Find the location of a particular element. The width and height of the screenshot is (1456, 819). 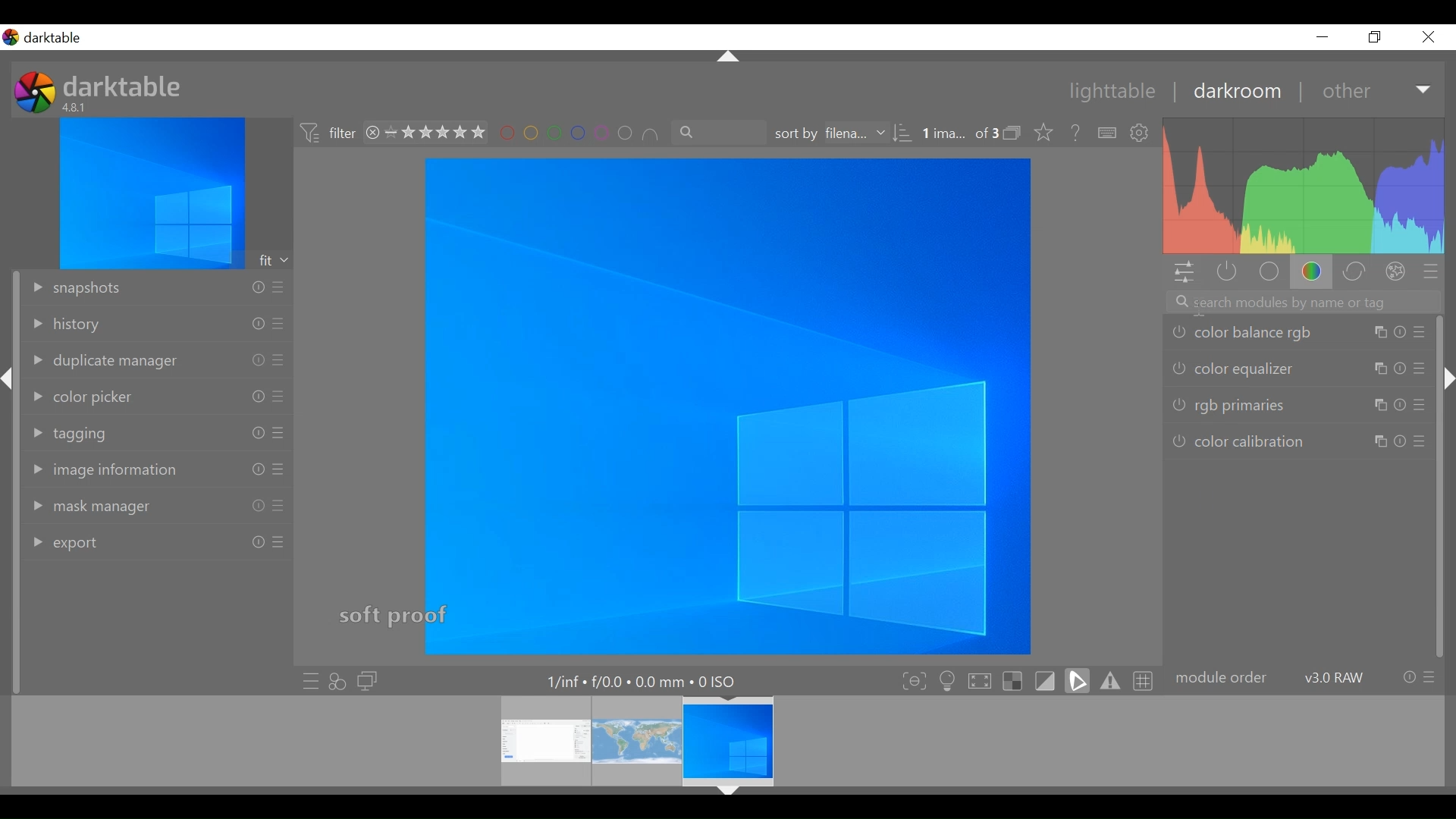

 is located at coordinates (1379, 332).